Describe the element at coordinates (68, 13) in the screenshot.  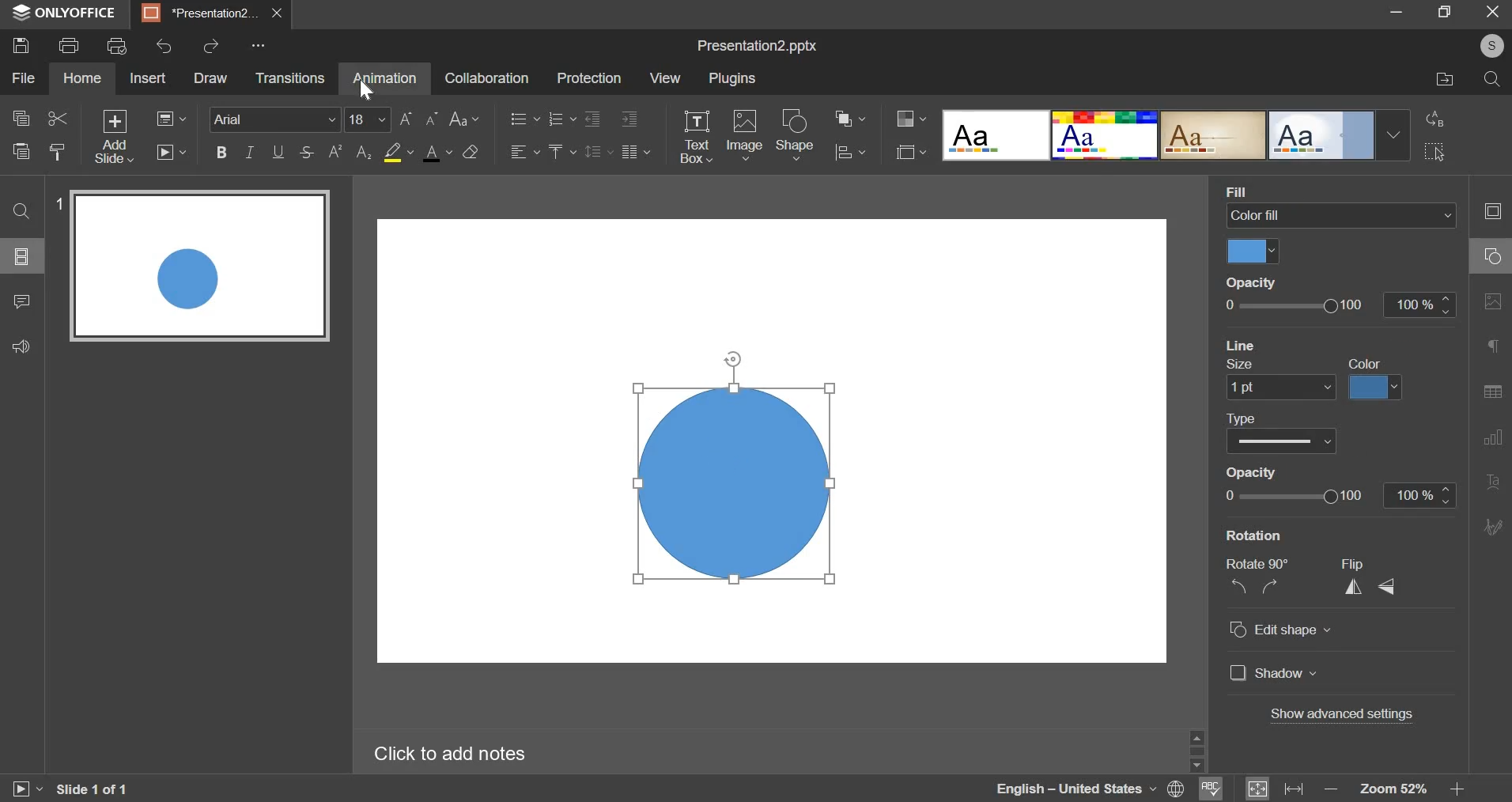
I see `ONLYOFFICE` at that location.